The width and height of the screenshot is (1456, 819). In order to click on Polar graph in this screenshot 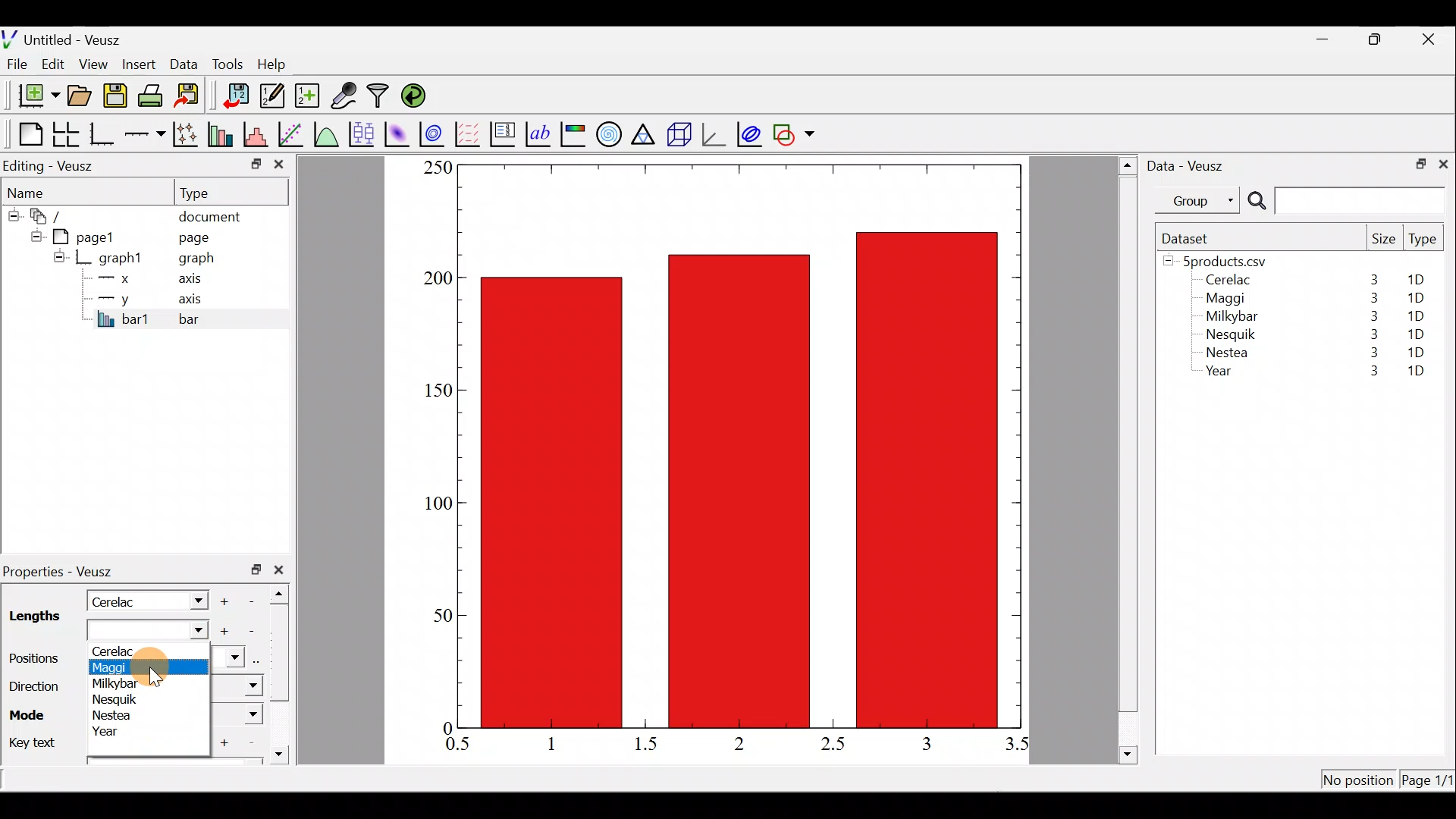, I will do `click(606, 132)`.